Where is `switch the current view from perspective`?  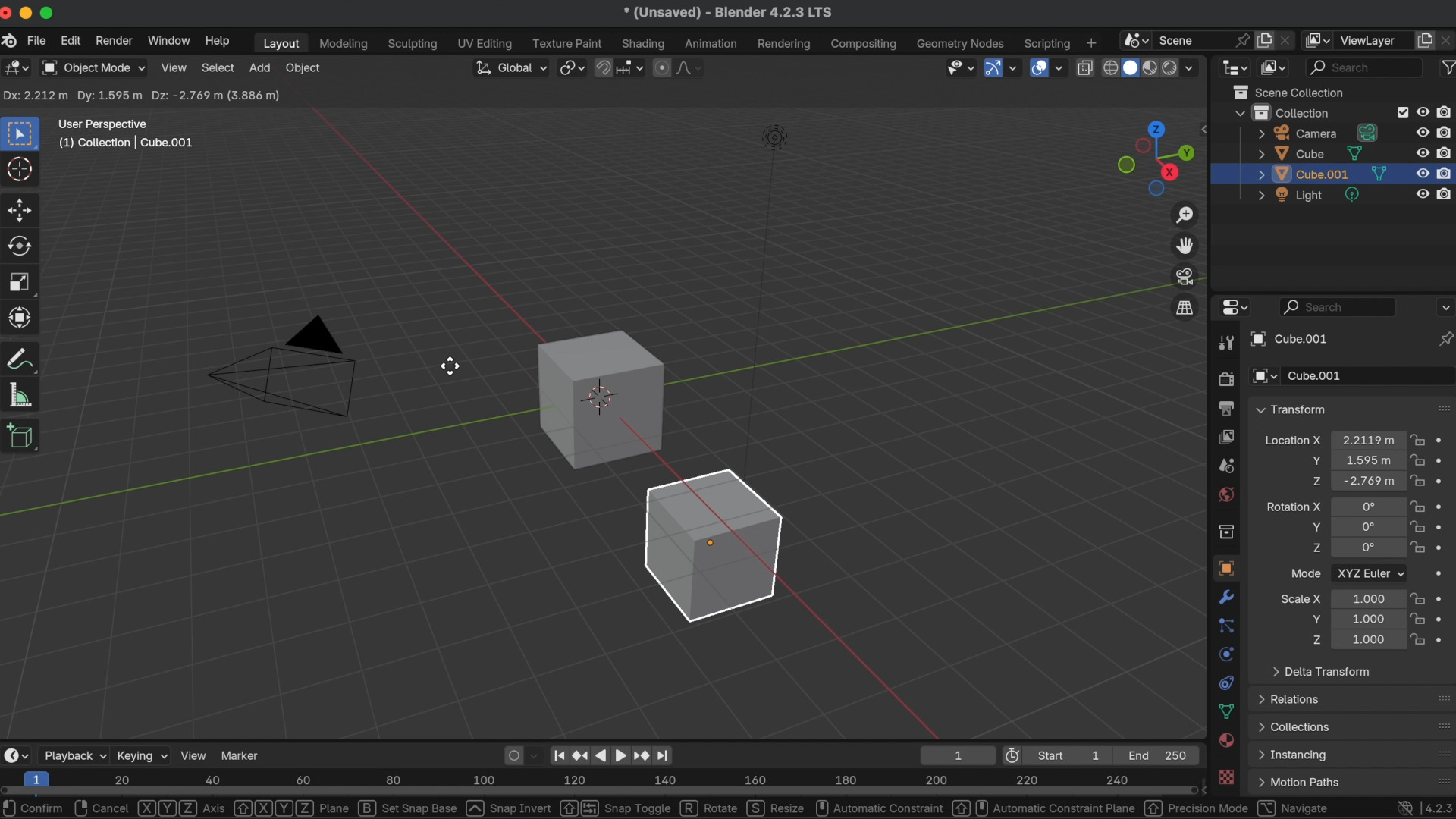
switch the current view from perspective is located at coordinates (1184, 307).